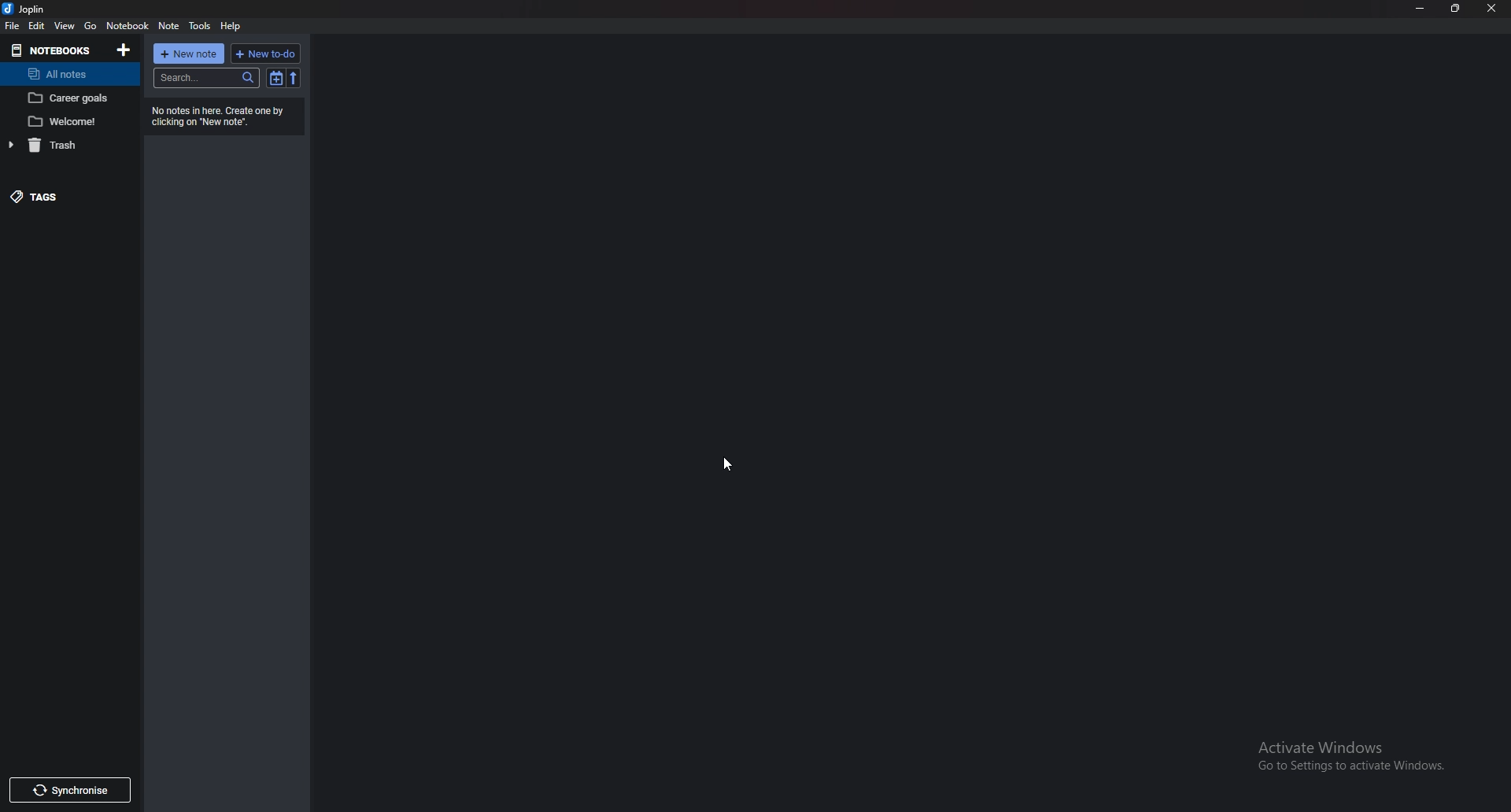 Image resolution: width=1511 pixels, height=812 pixels. What do you see at coordinates (61, 146) in the screenshot?
I see `trash` at bounding box center [61, 146].